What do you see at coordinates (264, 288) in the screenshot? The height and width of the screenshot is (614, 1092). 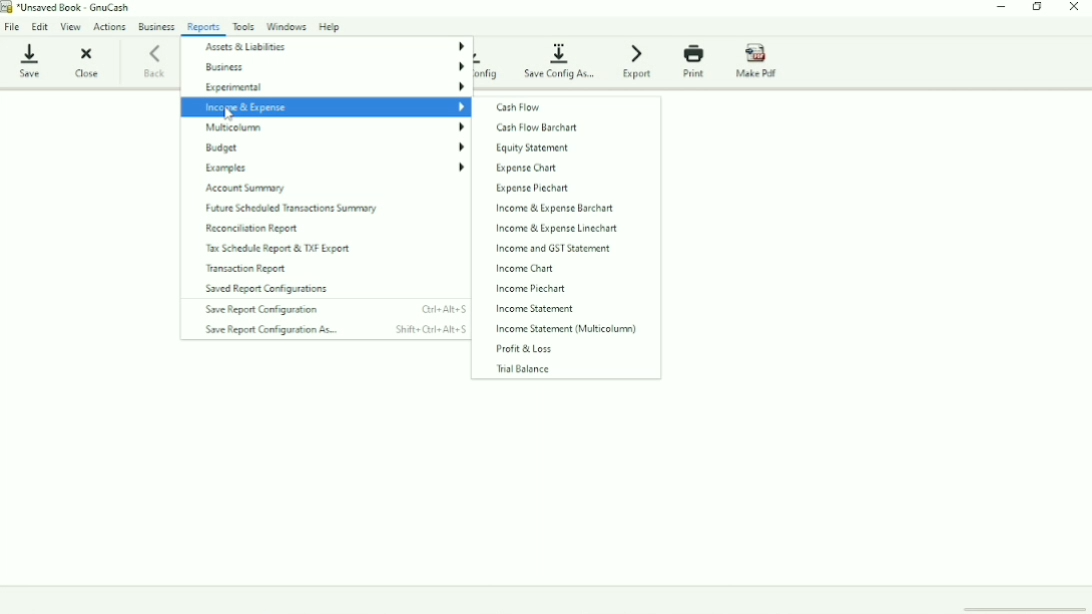 I see `Saved Report Configurations` at bounding box center [264, 288].